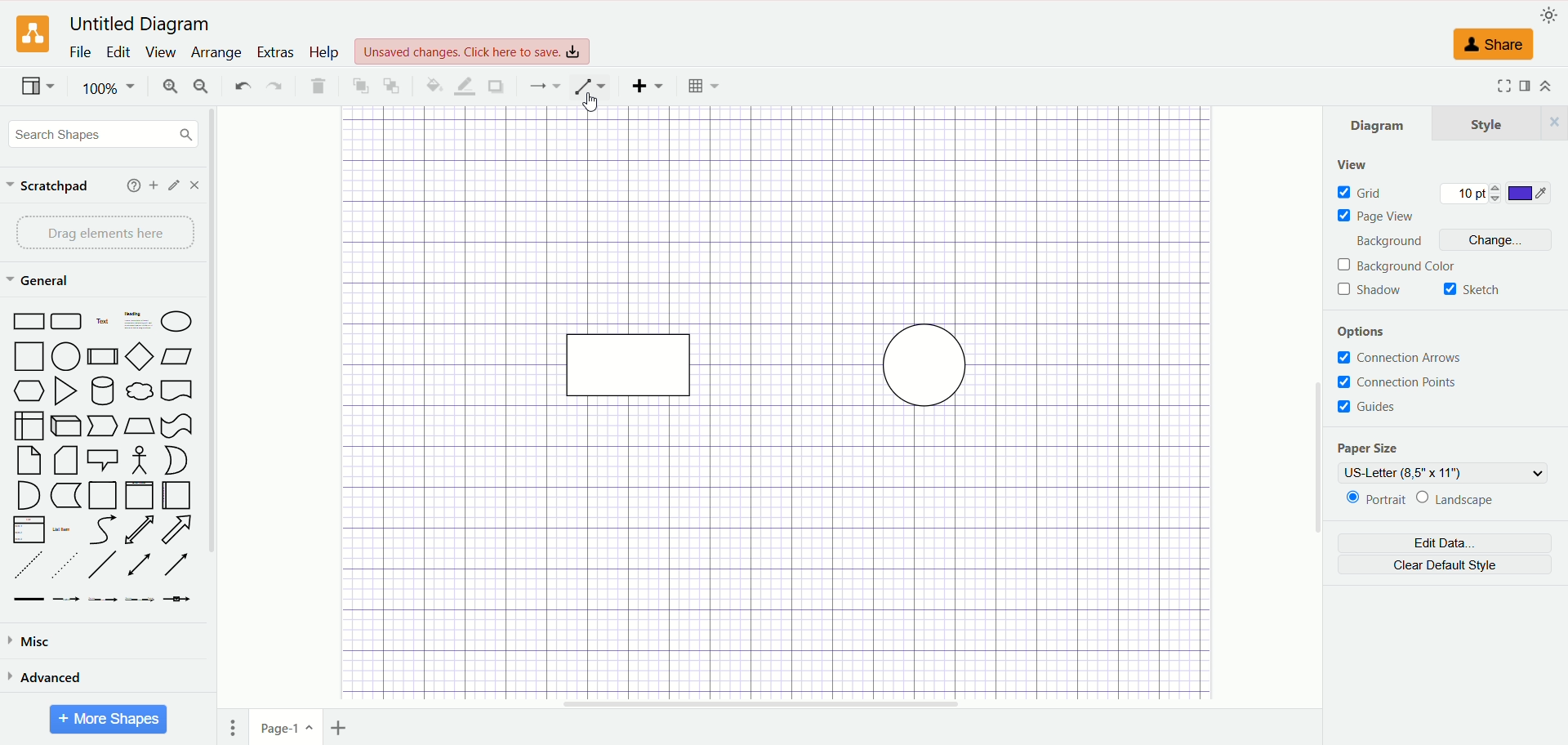 The image size is (1568, 745). I want to click on Fullscreen, so click(1500, 87).